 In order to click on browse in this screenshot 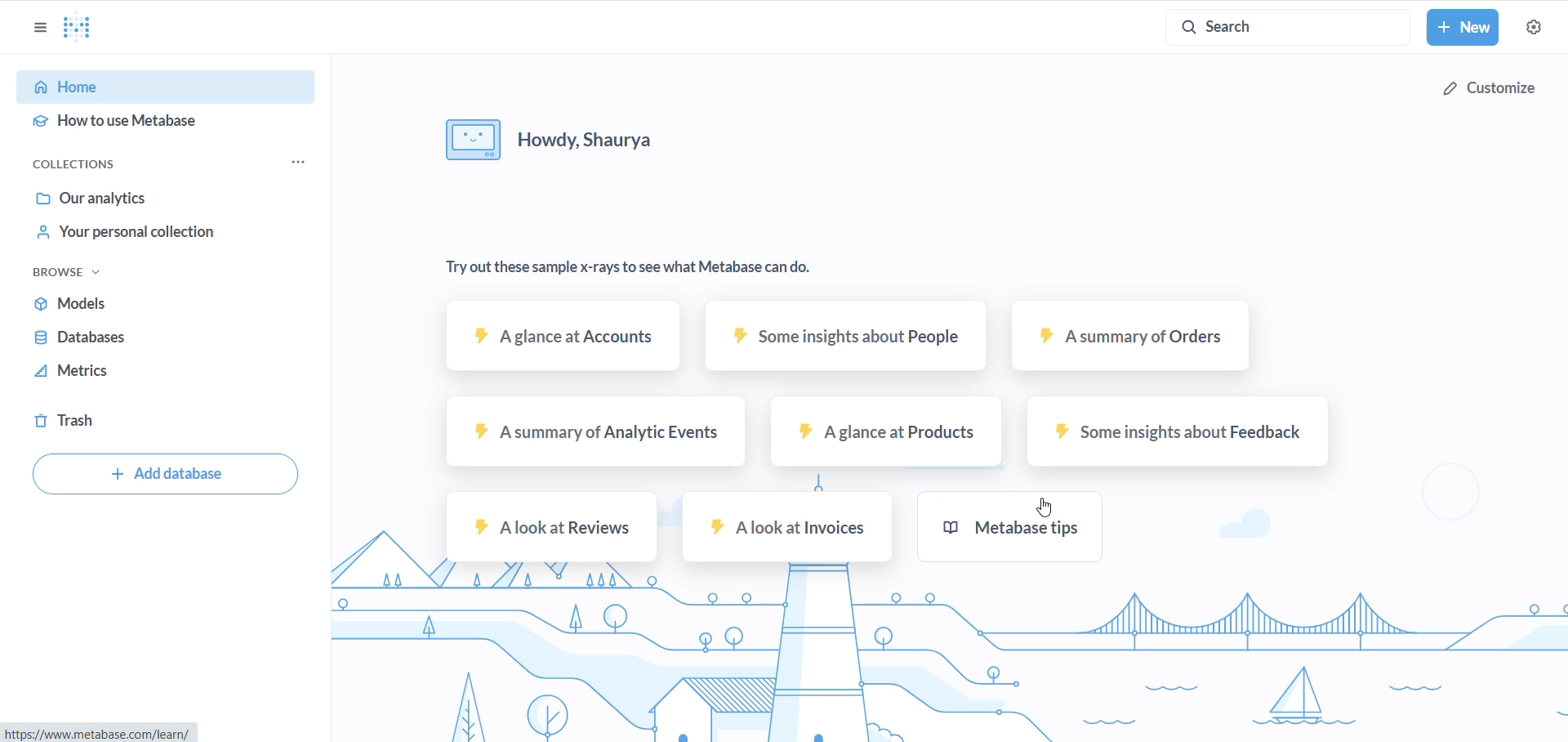, I will do `click(62, 272)`.